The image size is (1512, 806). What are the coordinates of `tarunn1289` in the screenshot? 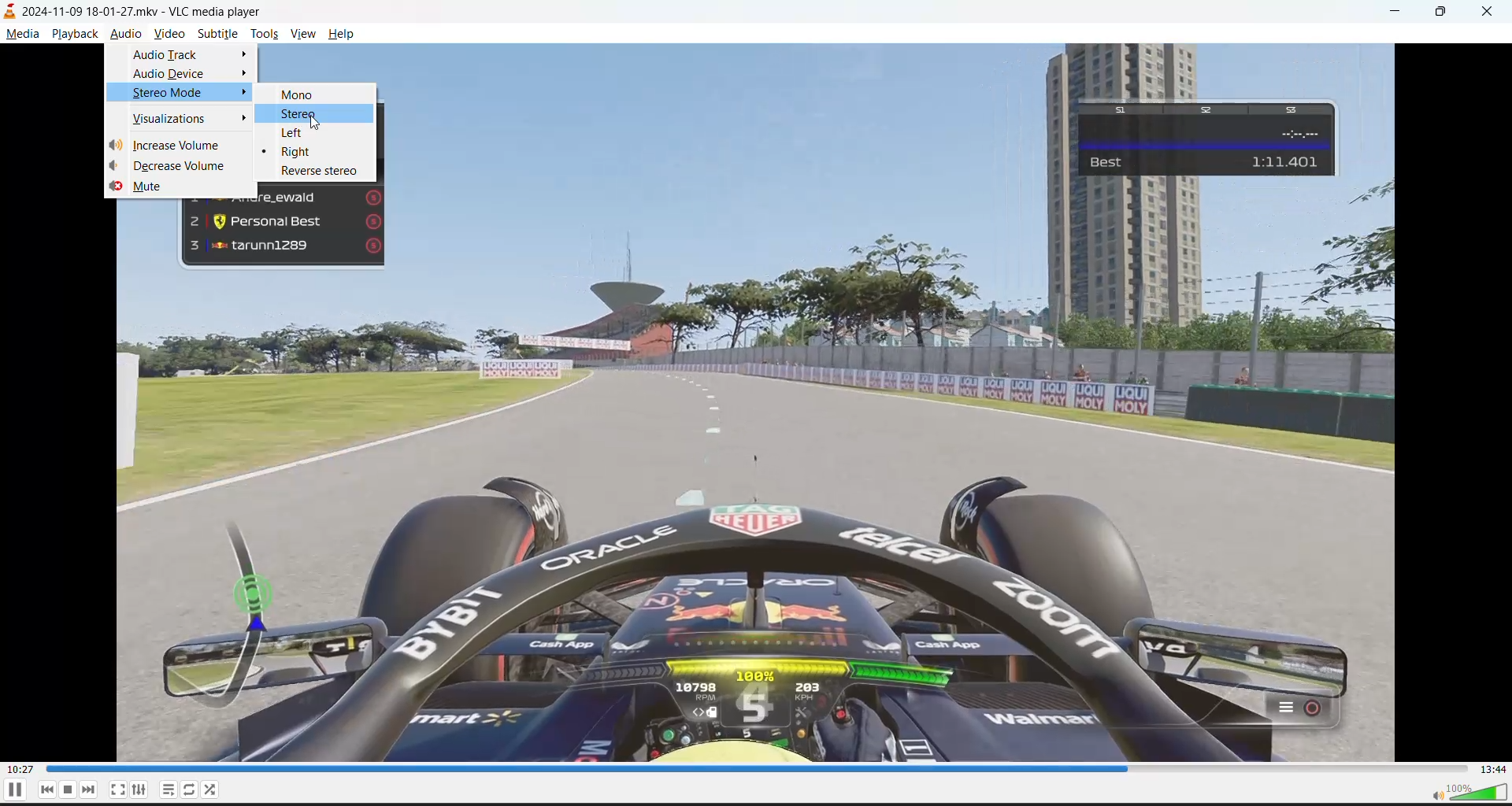 It's located at (283, 246).